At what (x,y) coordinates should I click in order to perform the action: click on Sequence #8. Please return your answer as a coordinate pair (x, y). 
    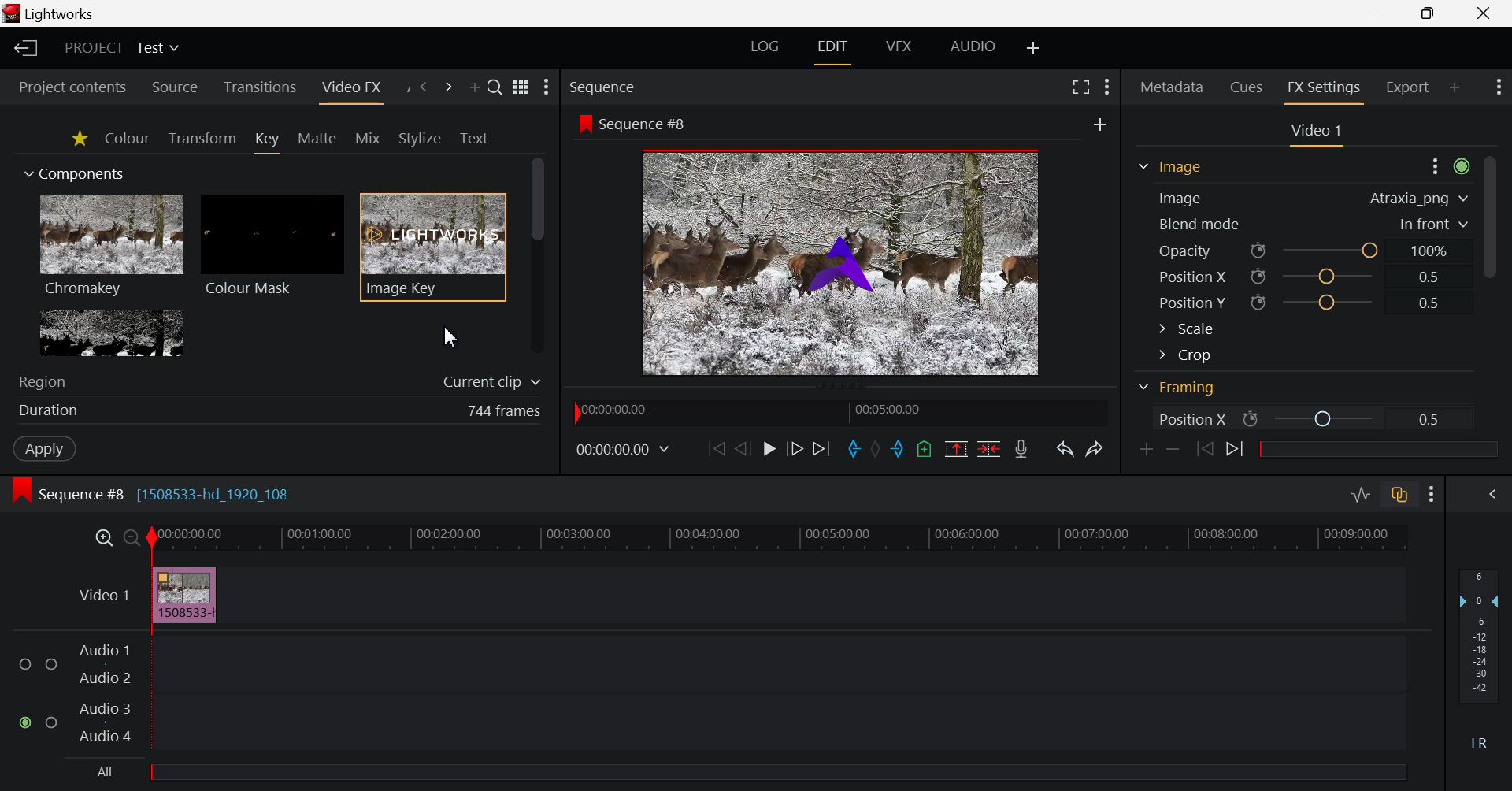
    Looking at the image, I should click on (646, 124).